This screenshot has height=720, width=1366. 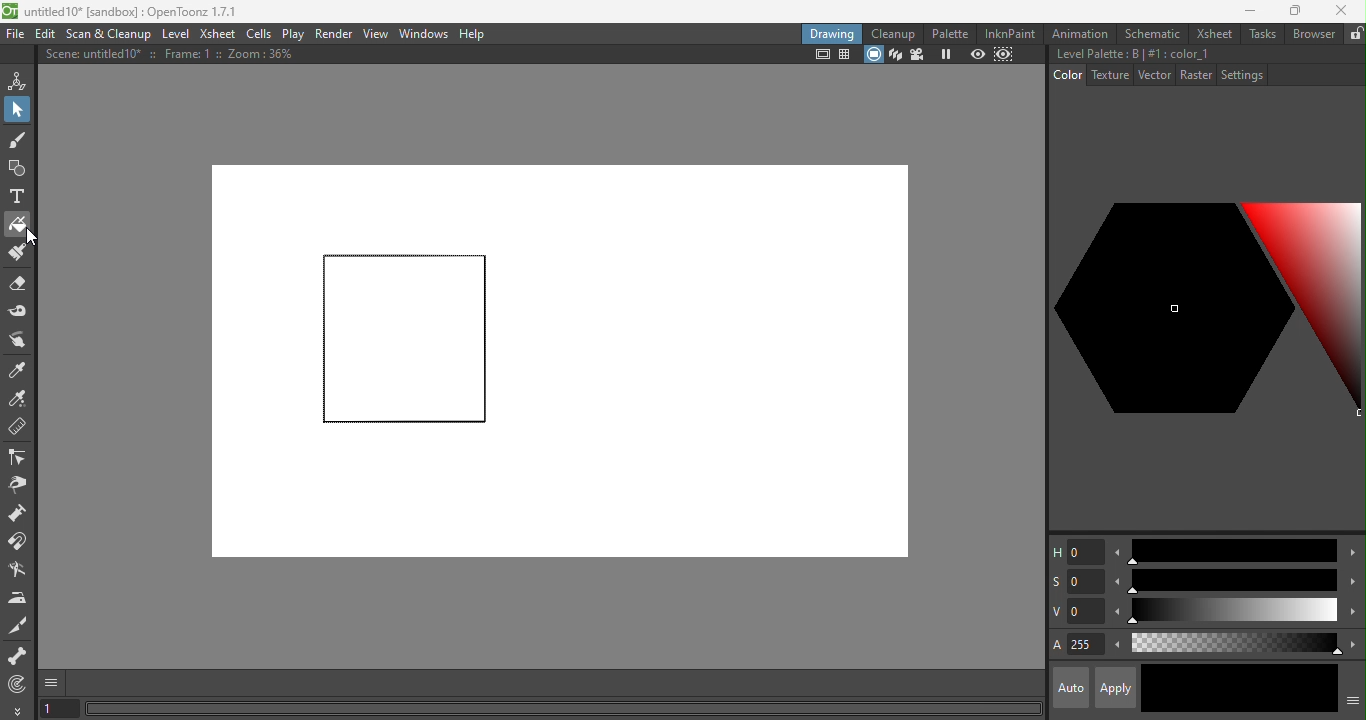 What do you see at coordinates (1211, 33) in the screenshot?
I see `Xsheet` at bounding box center [1211, 33].